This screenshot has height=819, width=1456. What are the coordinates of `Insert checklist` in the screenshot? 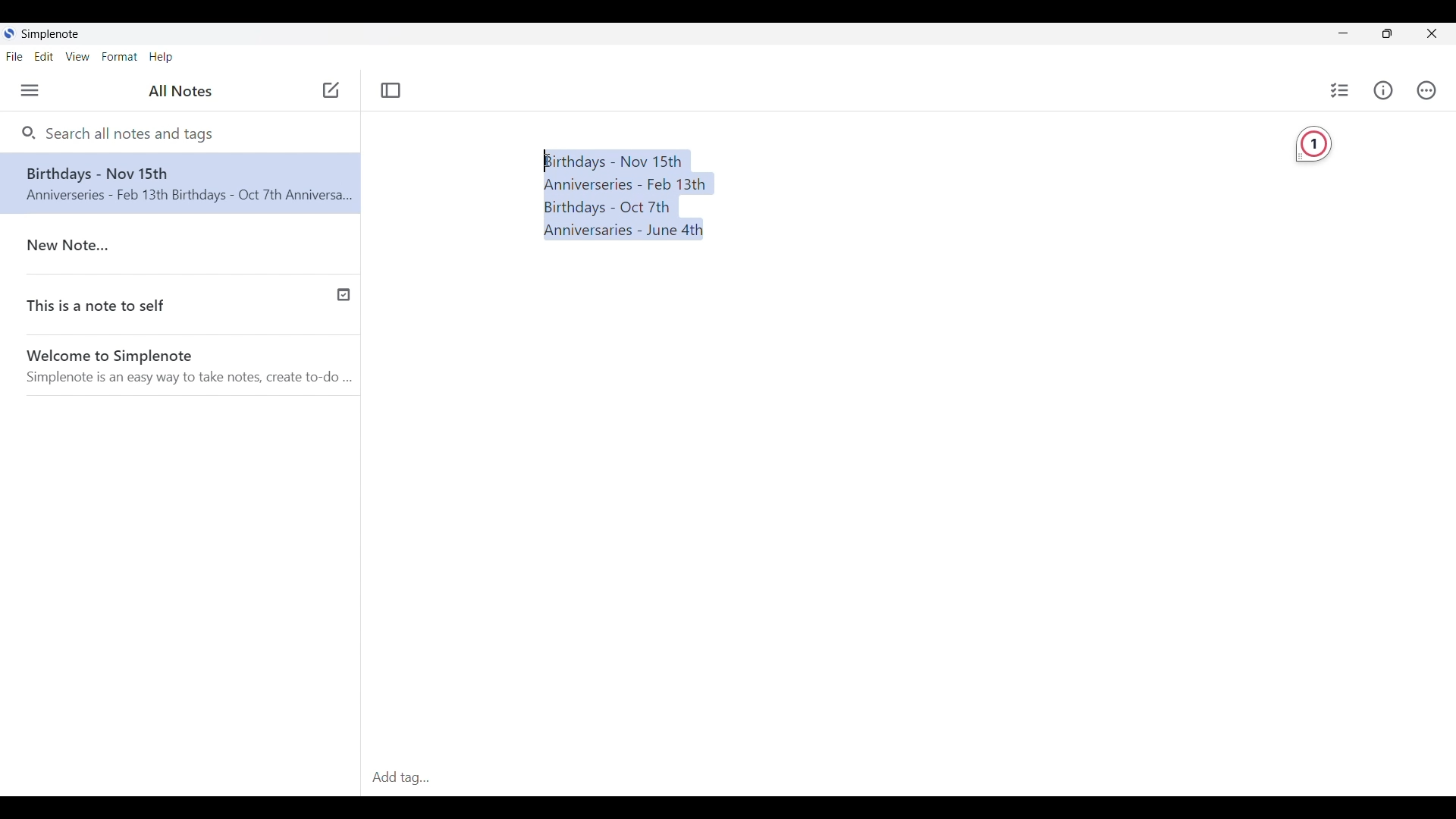 It's located at (1341, 90).